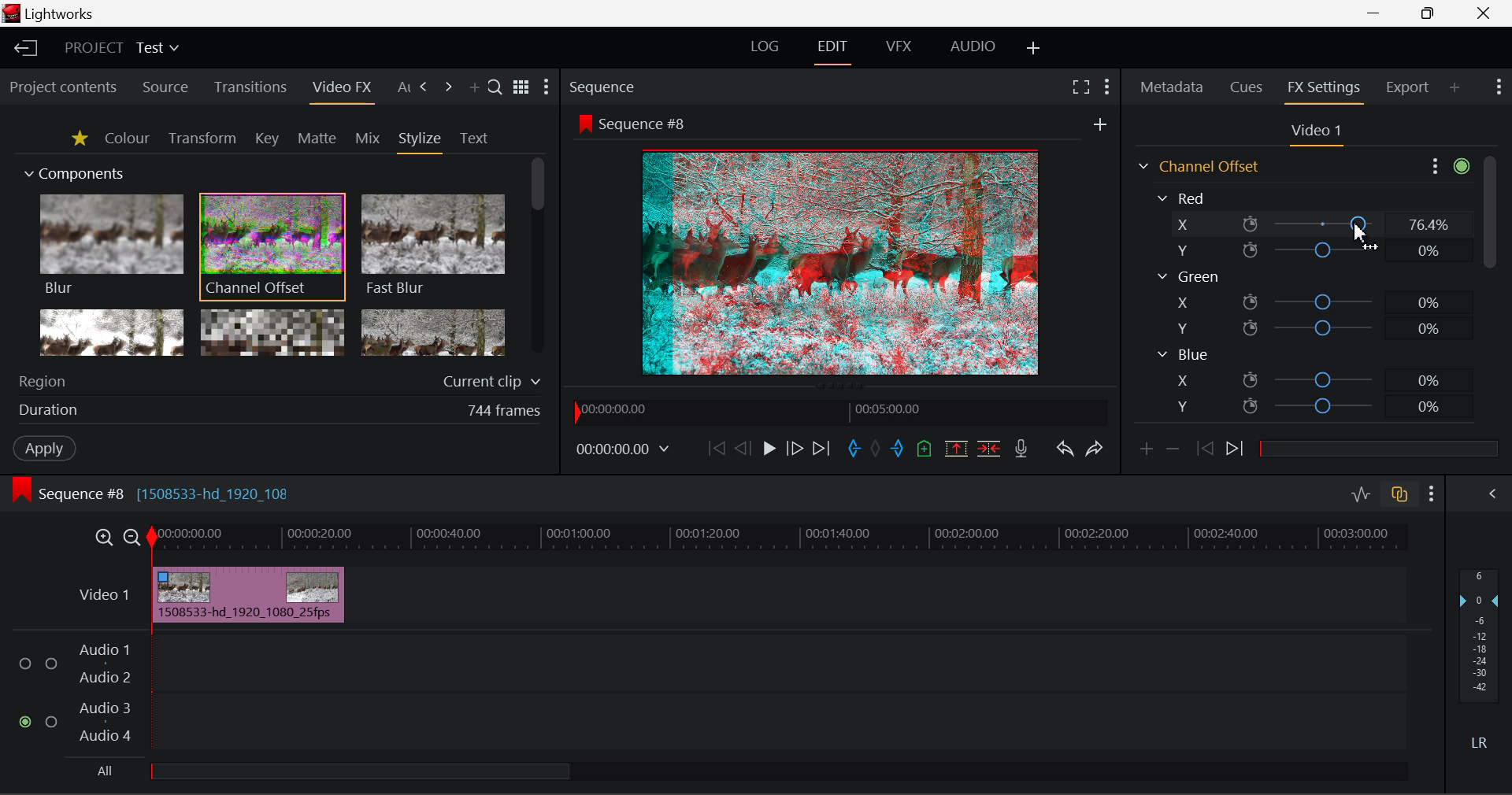  I want to click on Region, so click(283, 379).